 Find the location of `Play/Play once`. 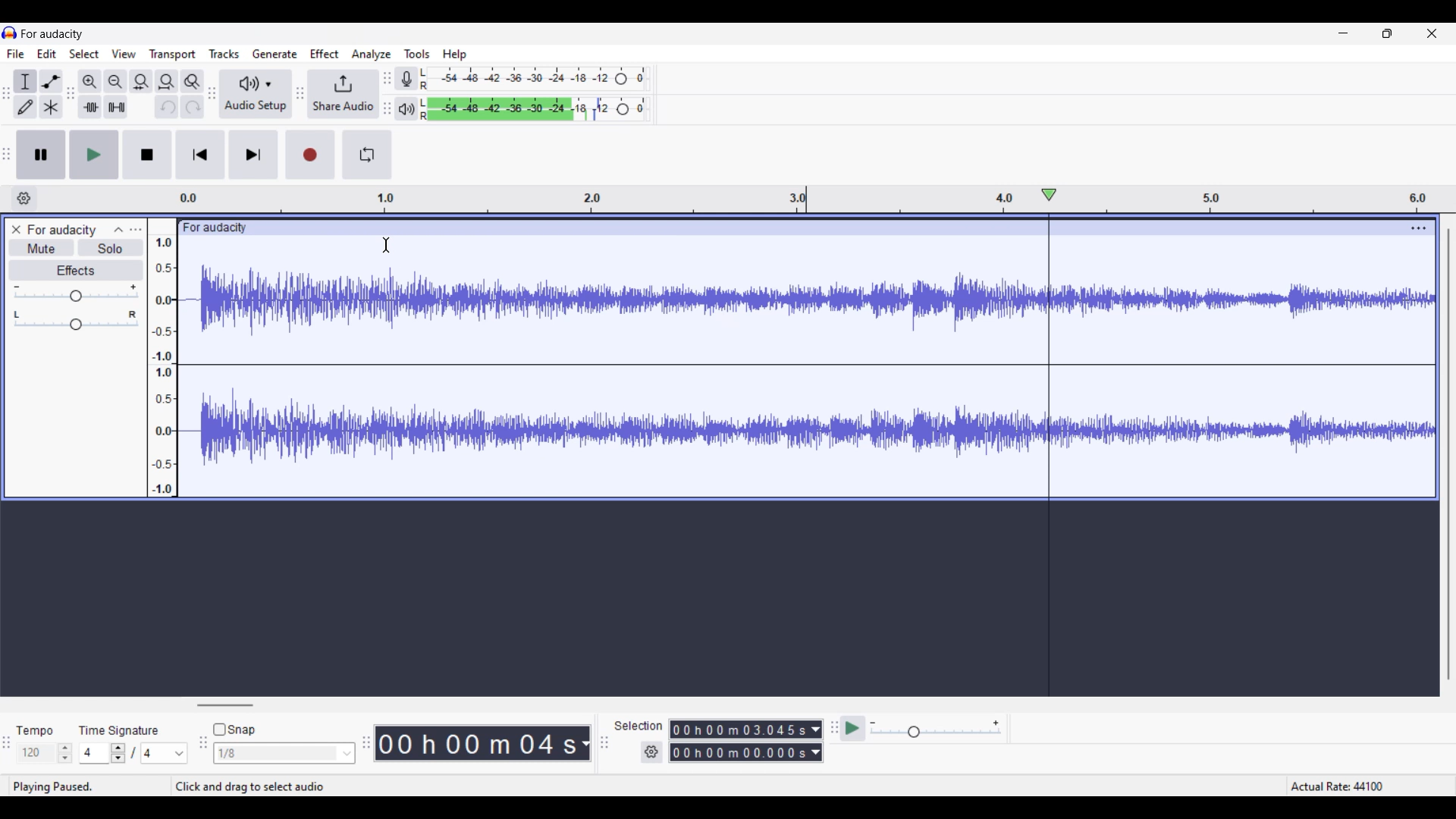

Play/Play once is located at coordinates (93, 155).